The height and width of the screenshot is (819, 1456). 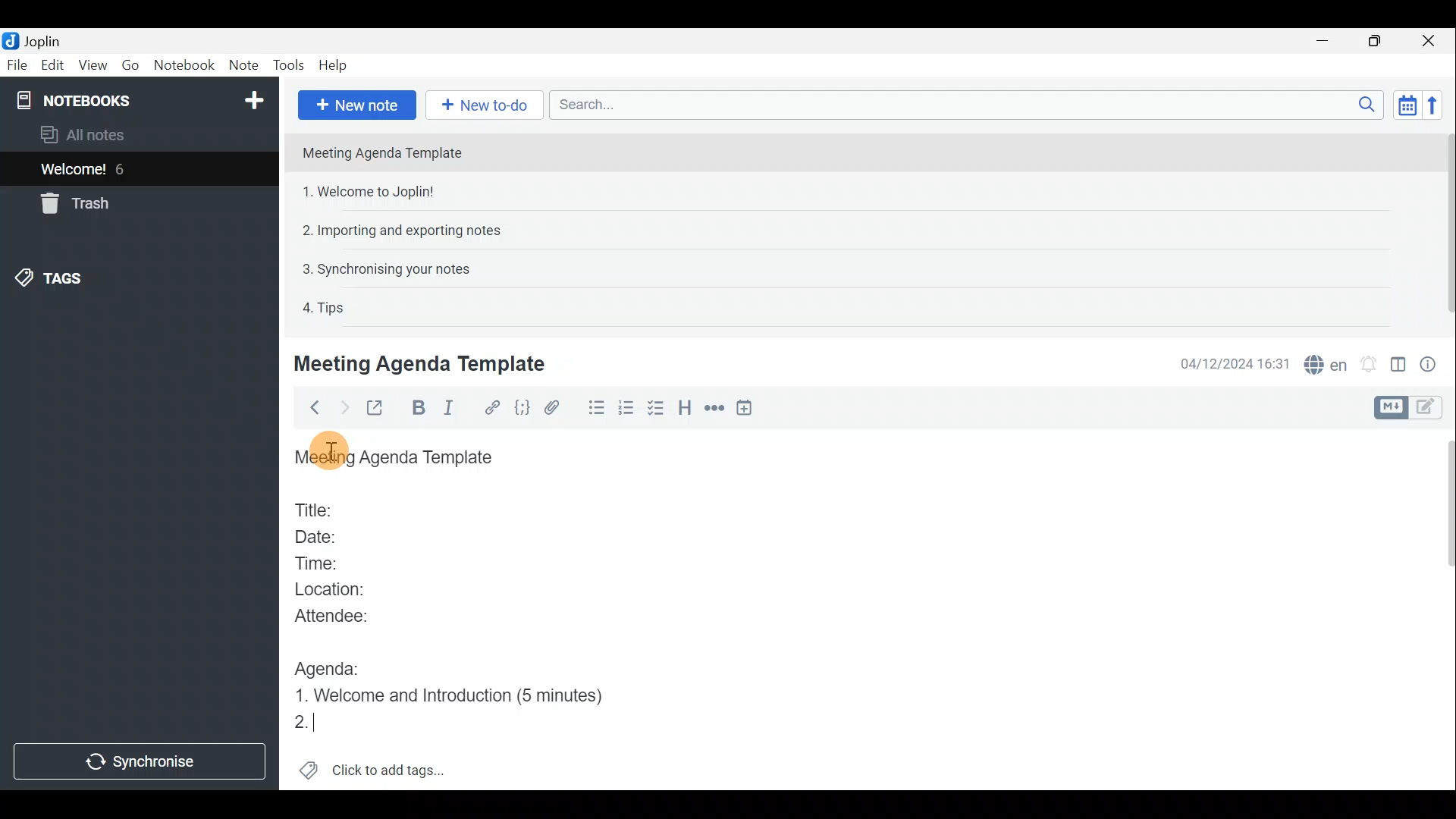 What do you see at coordinates (748, 410) in the screenshot?
I see `Insert time` at bounding box center [748, 410].